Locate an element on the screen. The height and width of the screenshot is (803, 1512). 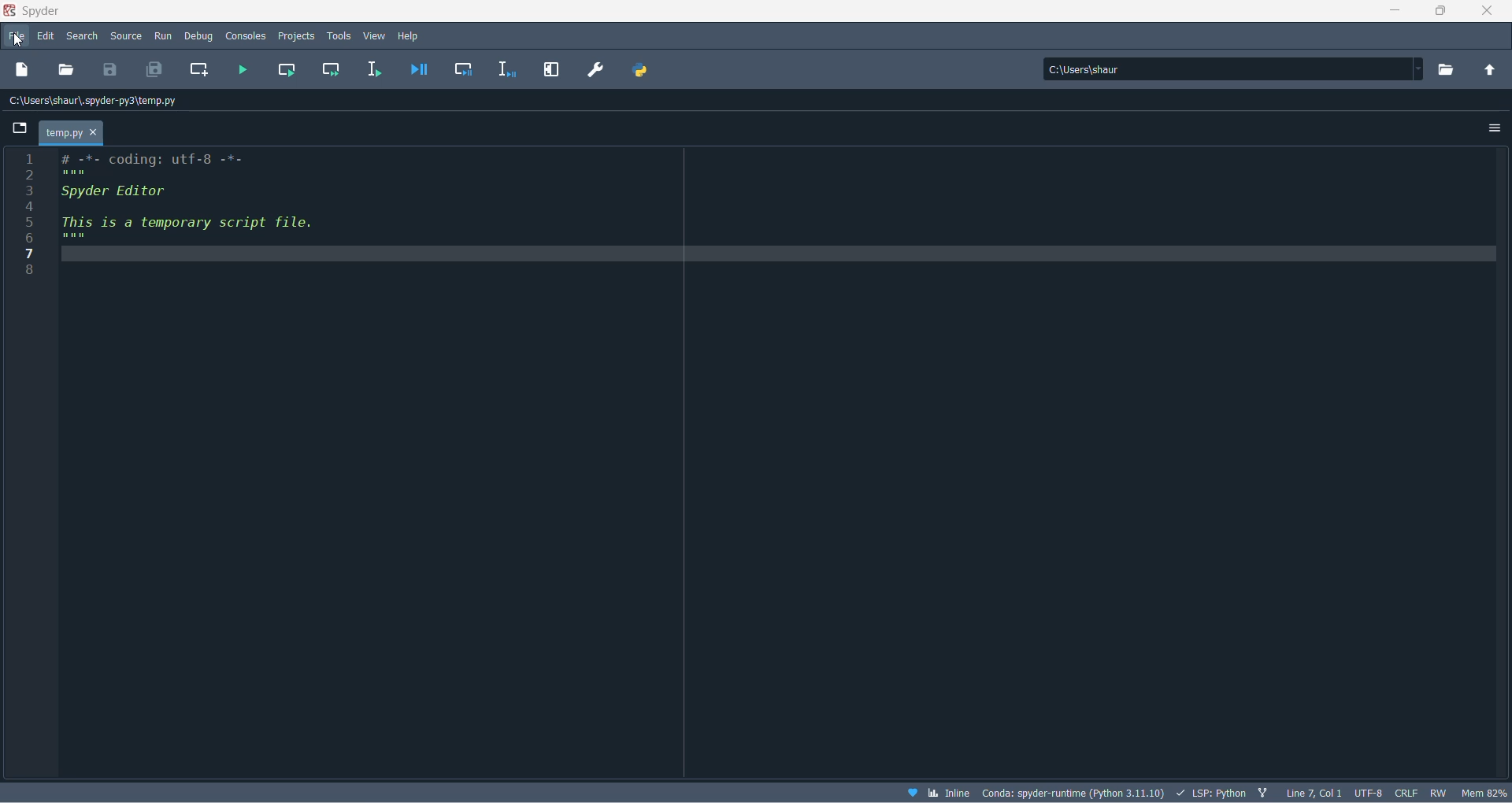
parent directory is located at coordinates (1492, 69).